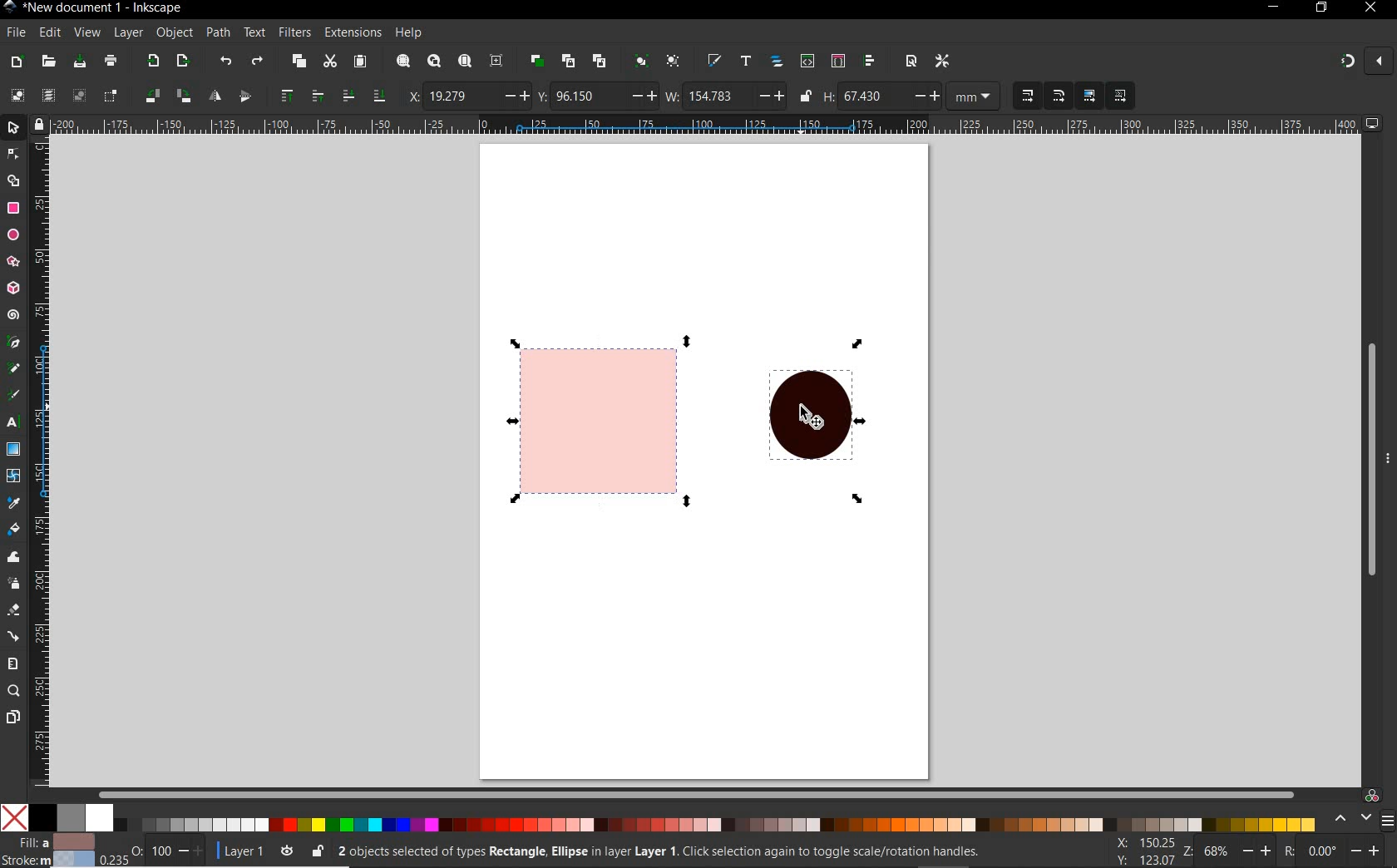 This screenshot has width=1397, height=868. What do you see at coordinates (257, 61) in the screenshot?
I see `redo` at bounding box center [257, 61].